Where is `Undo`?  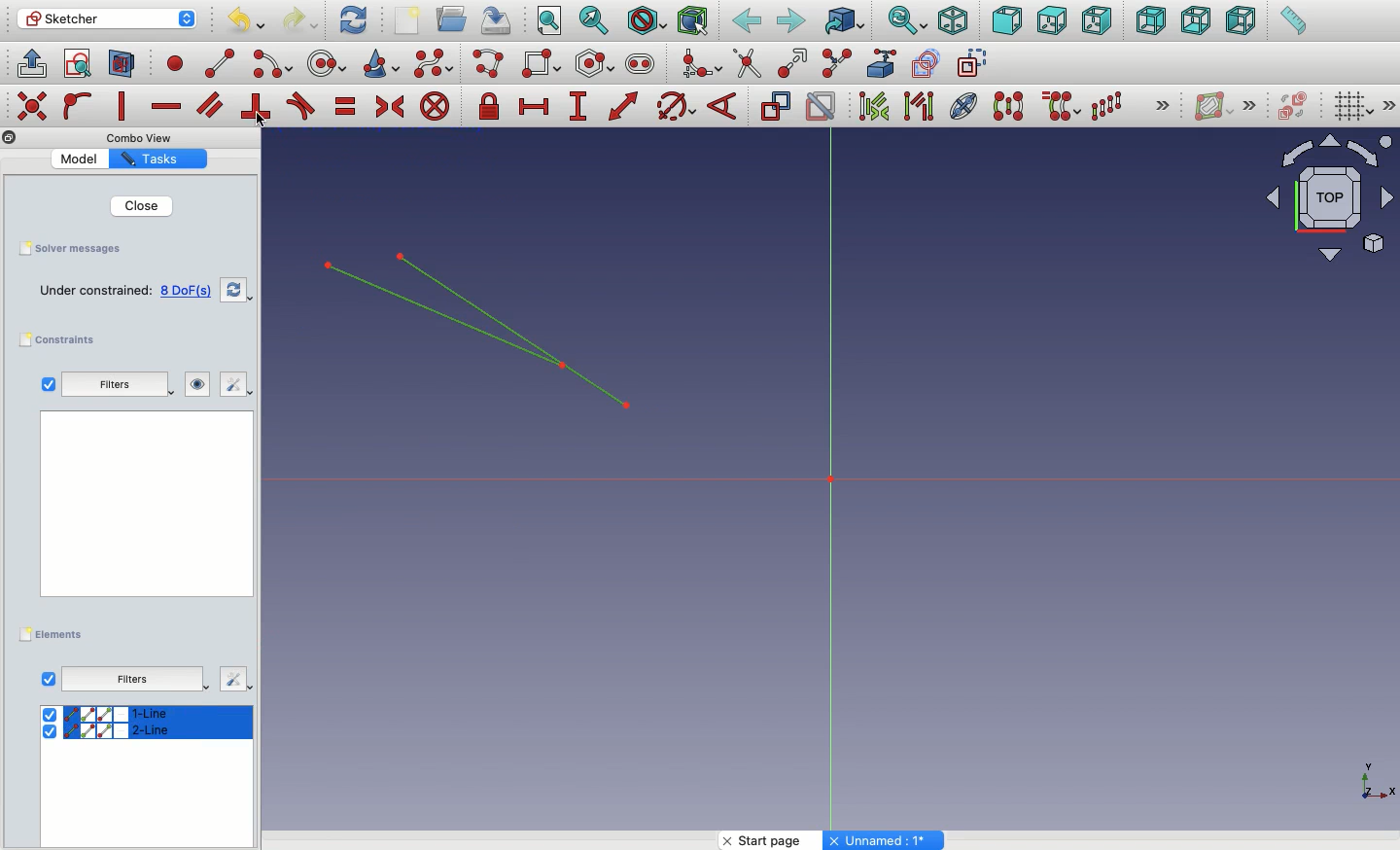 Undo is located at coordinates (244, 21).